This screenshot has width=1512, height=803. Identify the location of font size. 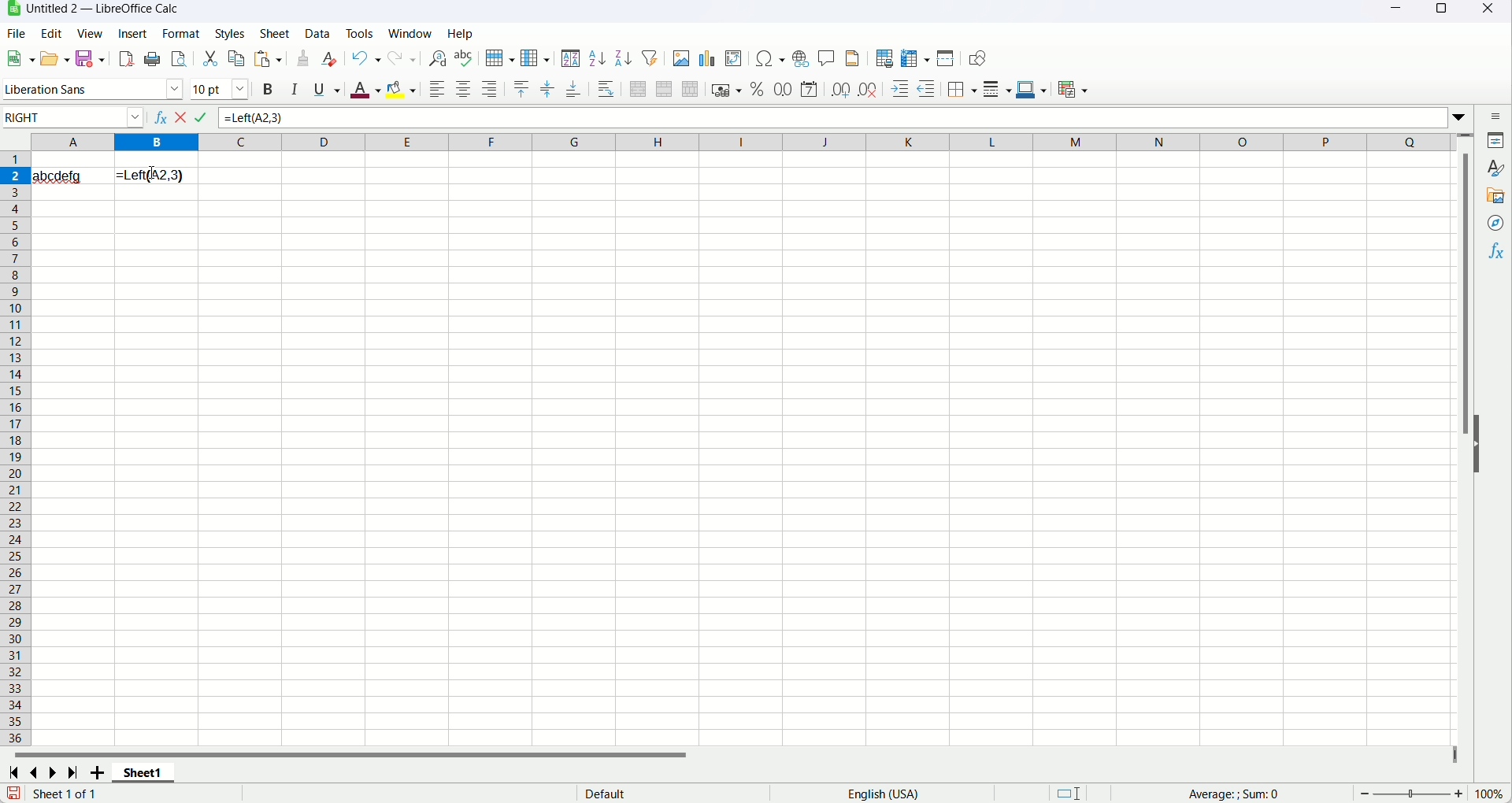
(220, 89).